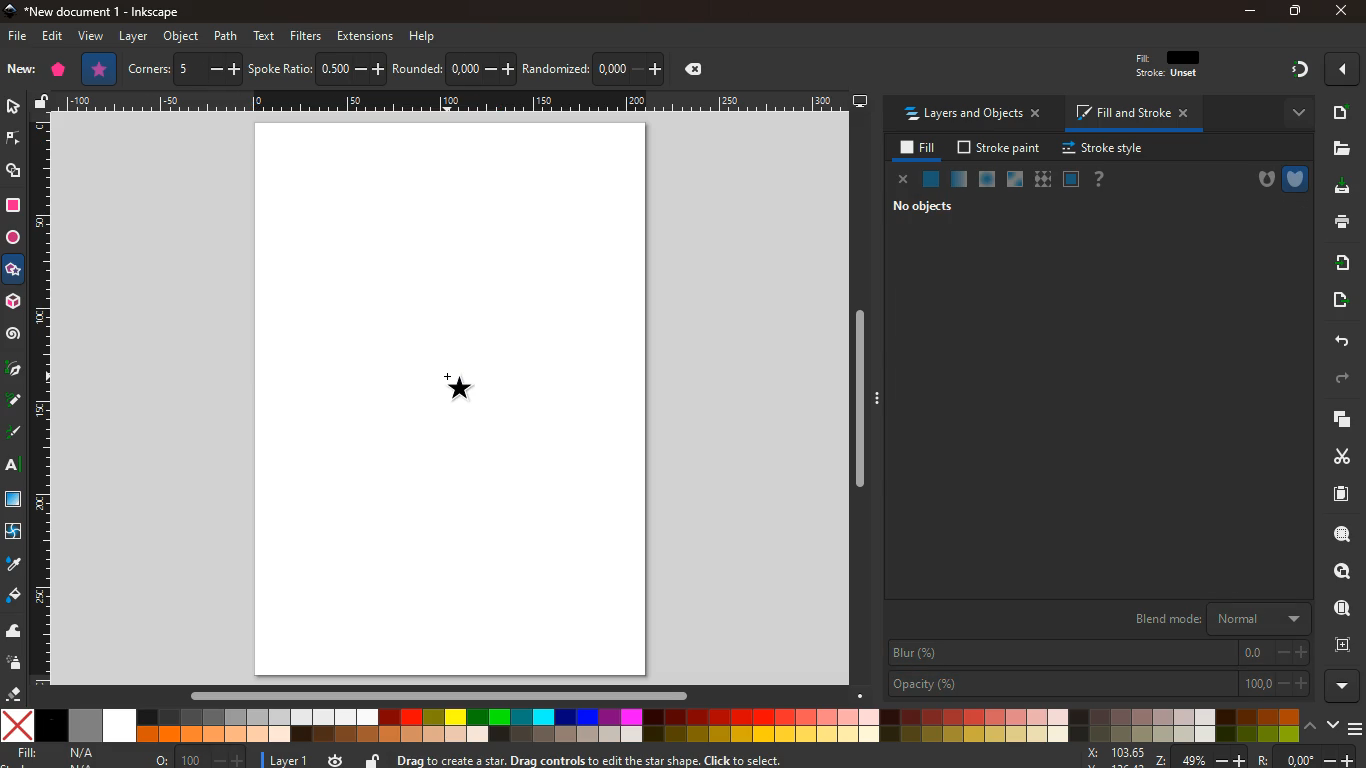 Image resolution: width=1366 pixels, height=768 pixels. What do you see at coordinates (15, 238) in the screenshot?
I see `circle` at bounding box center [15, 238].